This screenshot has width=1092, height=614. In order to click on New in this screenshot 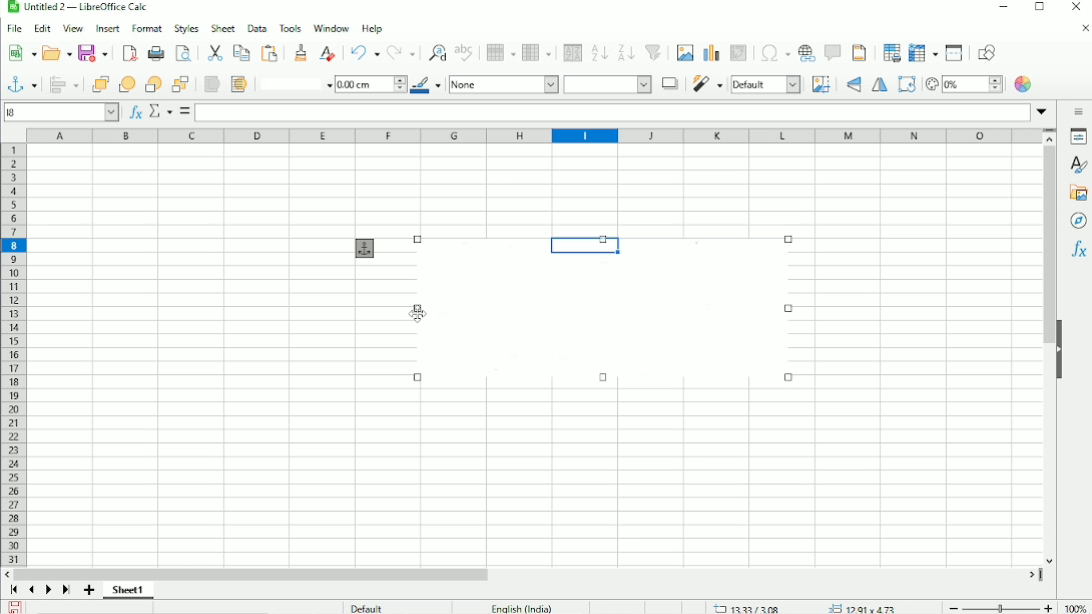, I will do `click(22, 53)`.